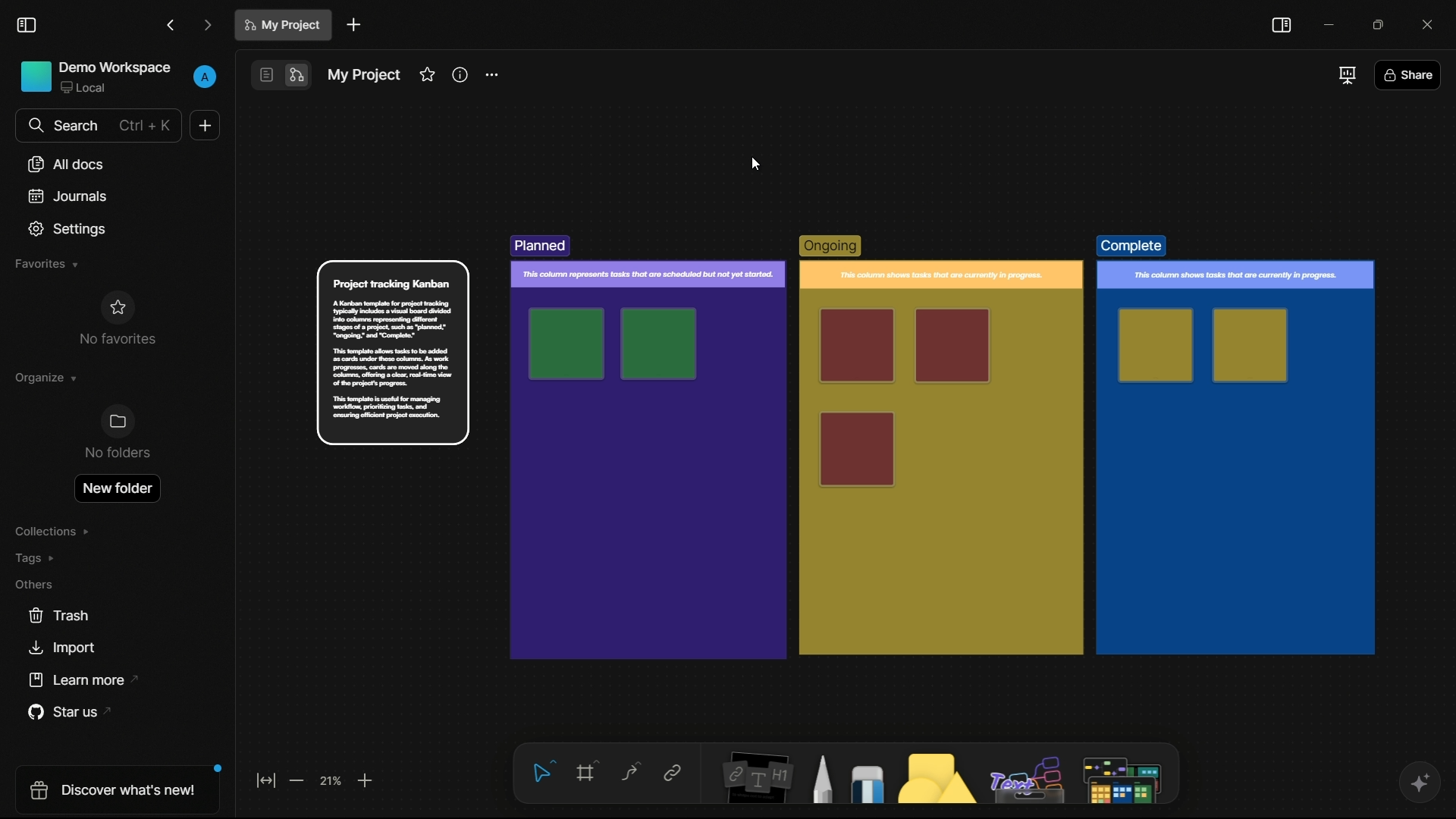 Image resolution: width=1456 pixels, height=819 pixels. I want to click on demo workspace, so click(96, 78).